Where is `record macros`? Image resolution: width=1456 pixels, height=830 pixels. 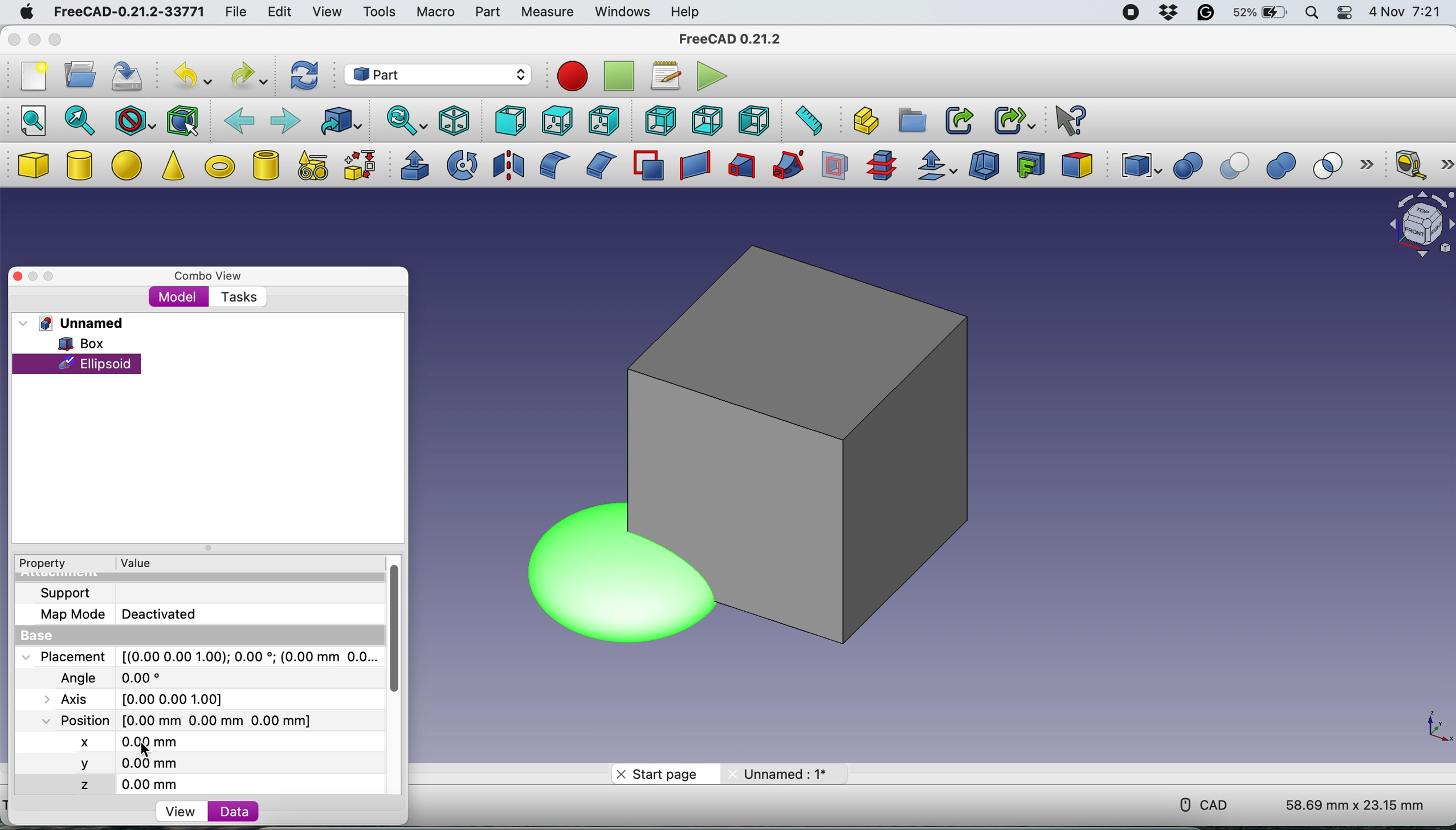 record macros is located at coordinates (572, 76).